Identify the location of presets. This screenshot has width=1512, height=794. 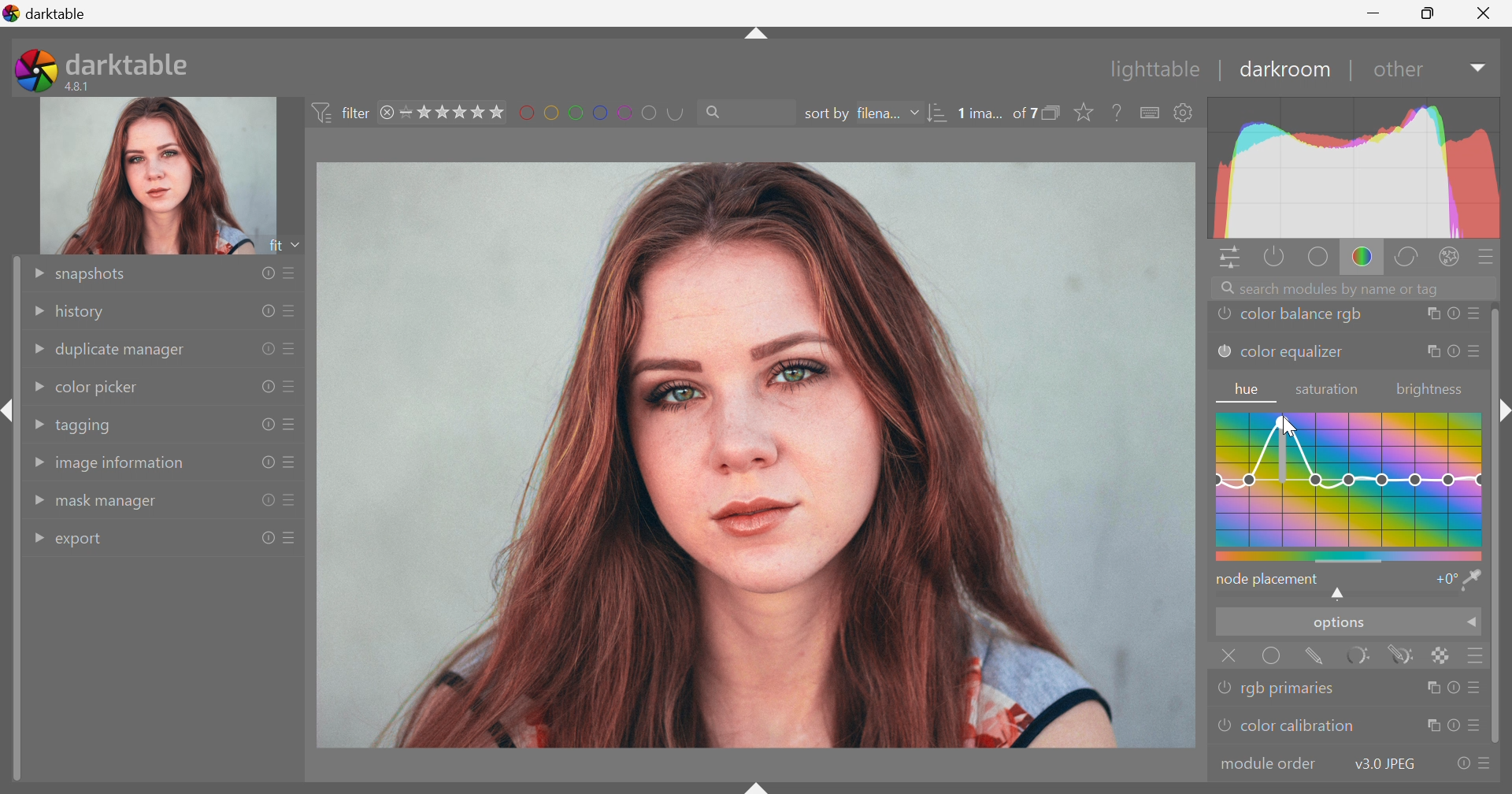
(295, 536).